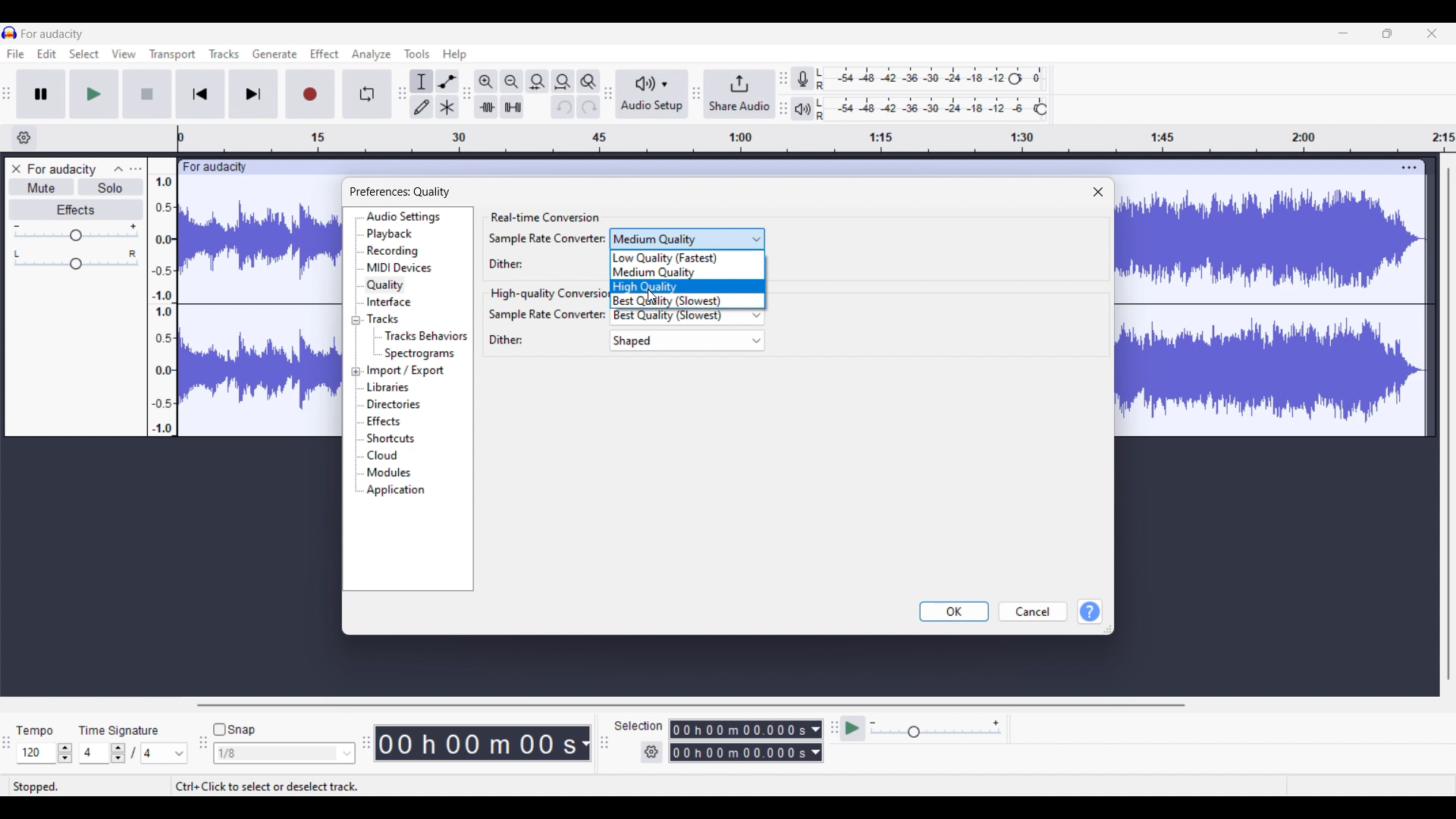 Image resolution: width=1456 pixels, height=819 pixels. I want to click on Record/Record new track, so click(310, 94).